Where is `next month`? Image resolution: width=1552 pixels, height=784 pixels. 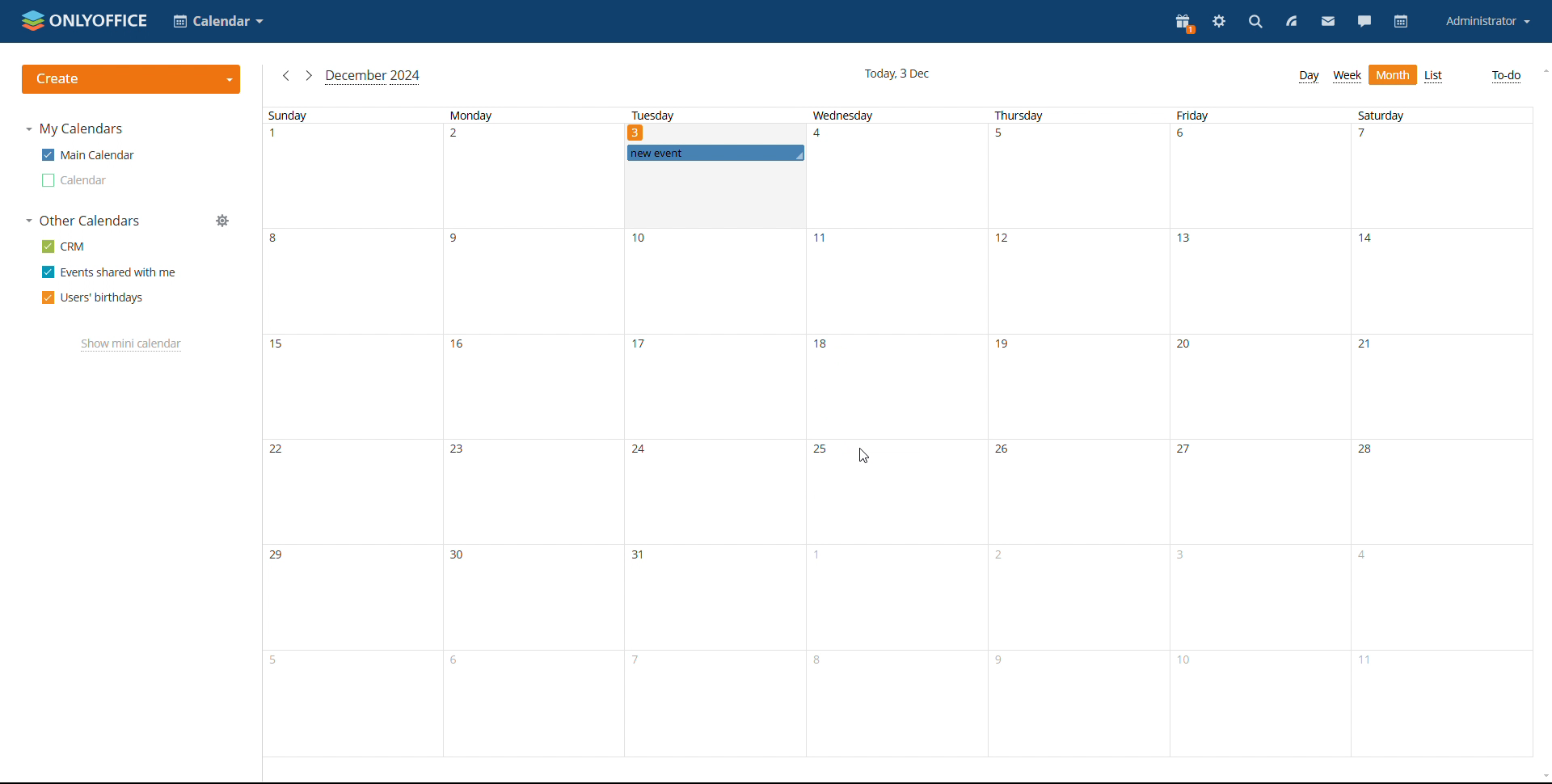
next month is located at coordinates (309, 77).